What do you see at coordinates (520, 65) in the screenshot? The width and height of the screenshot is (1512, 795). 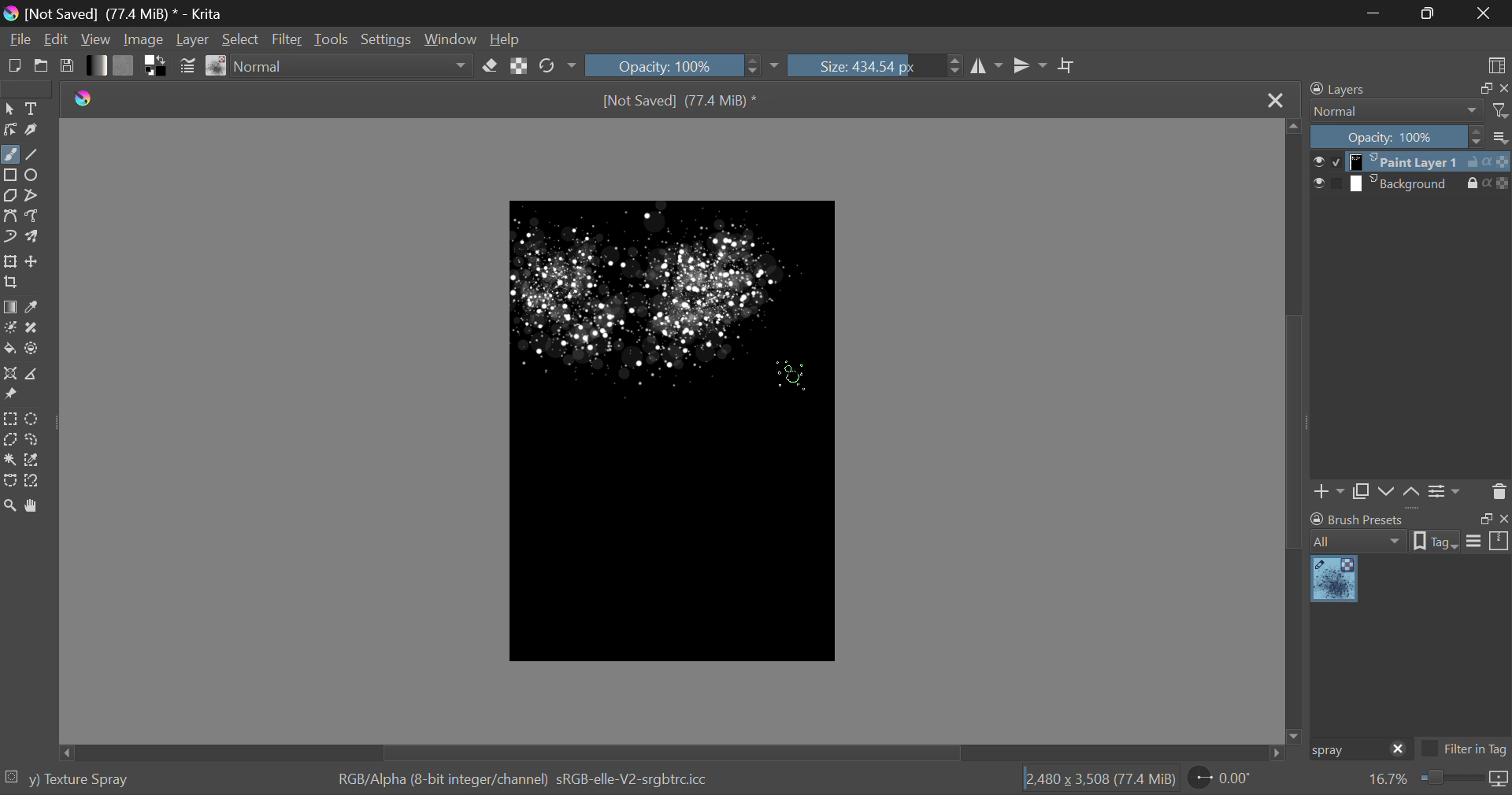 I see `Lock Alpha` at bounding box center [520, 65].